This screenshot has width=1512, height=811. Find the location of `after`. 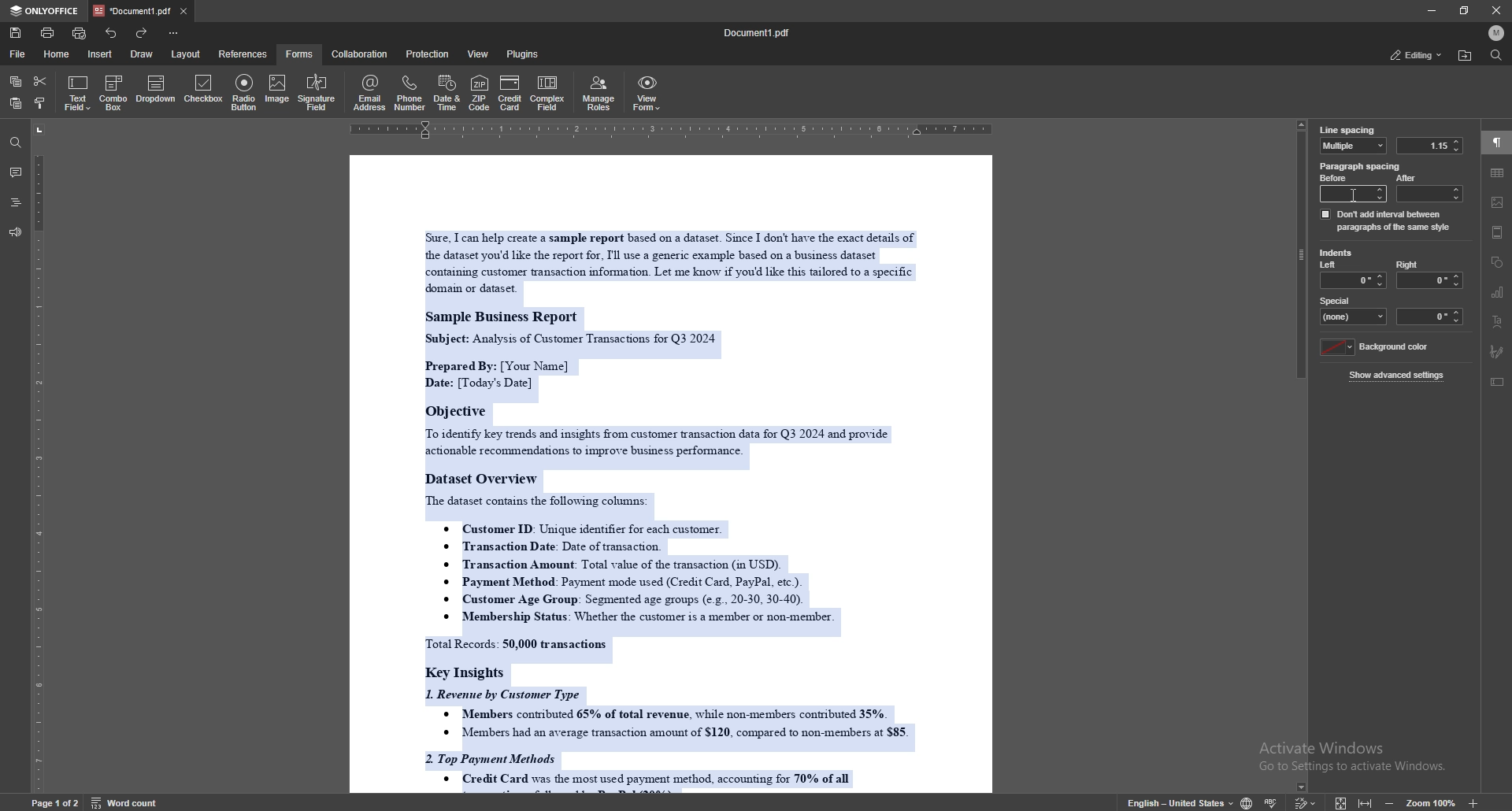

after is located at coordinates (1428, 187).